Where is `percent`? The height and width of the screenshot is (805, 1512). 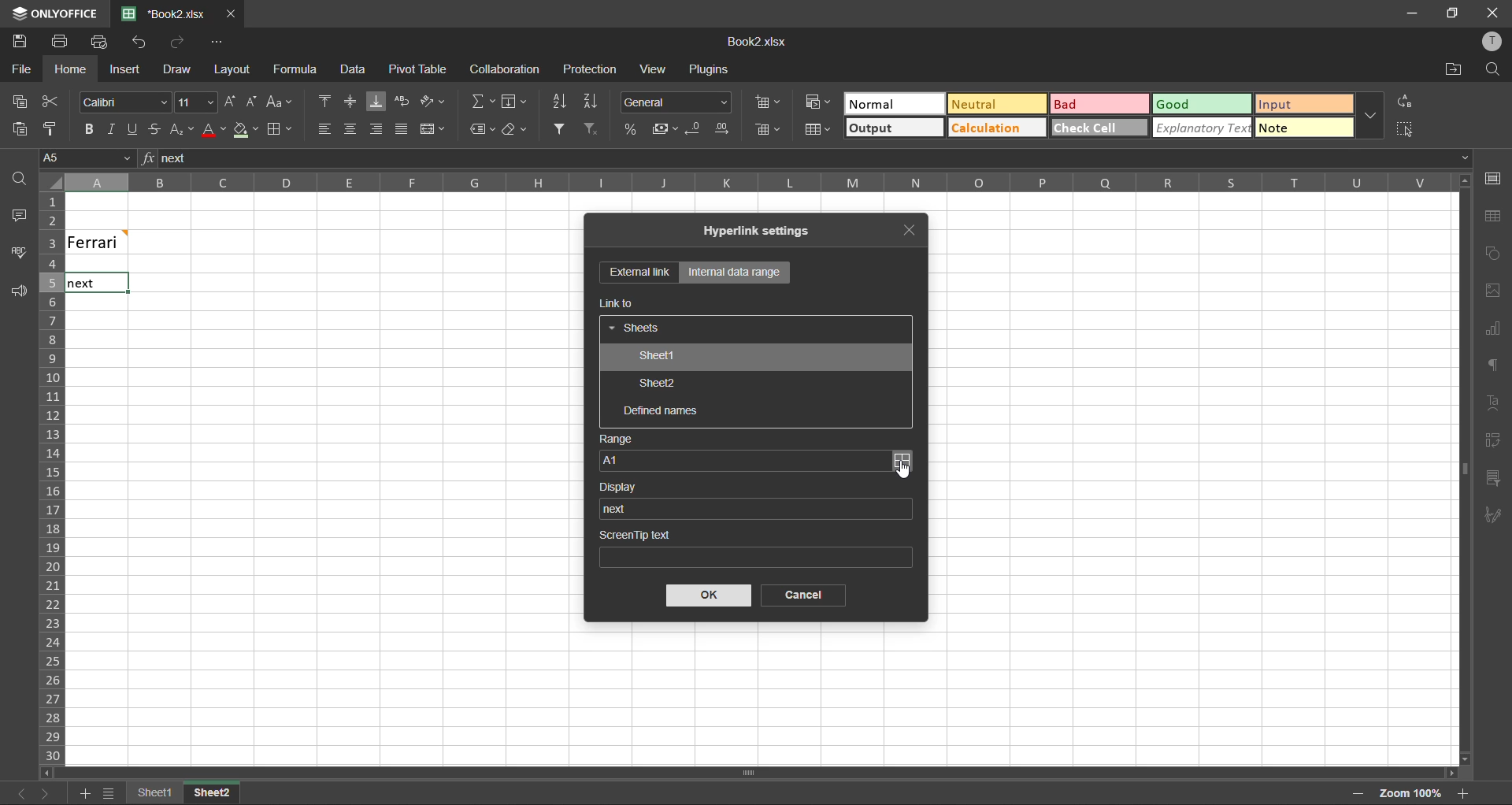 percent is located at coordinates (630, 131).